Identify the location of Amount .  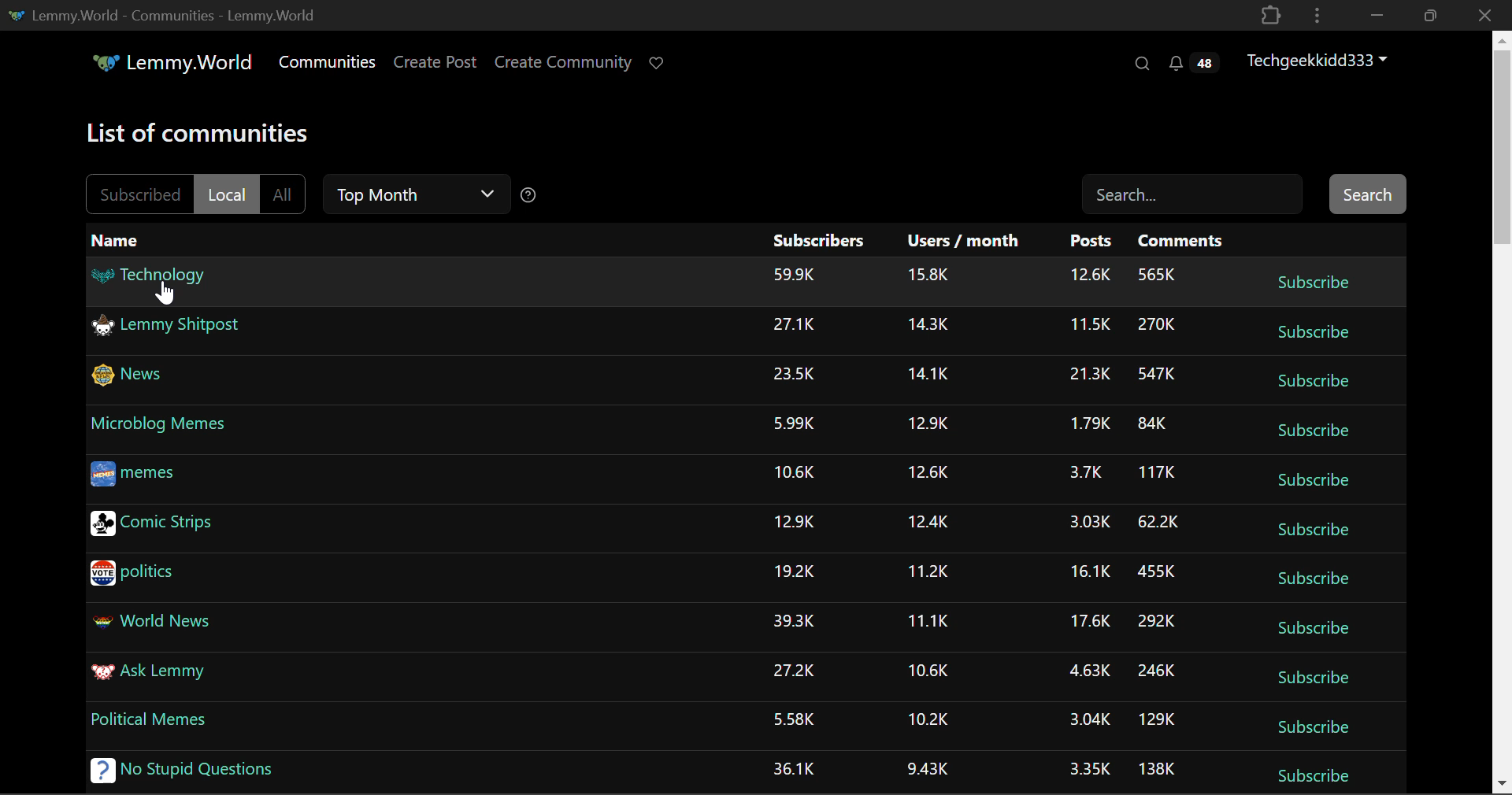
(1085, 425).